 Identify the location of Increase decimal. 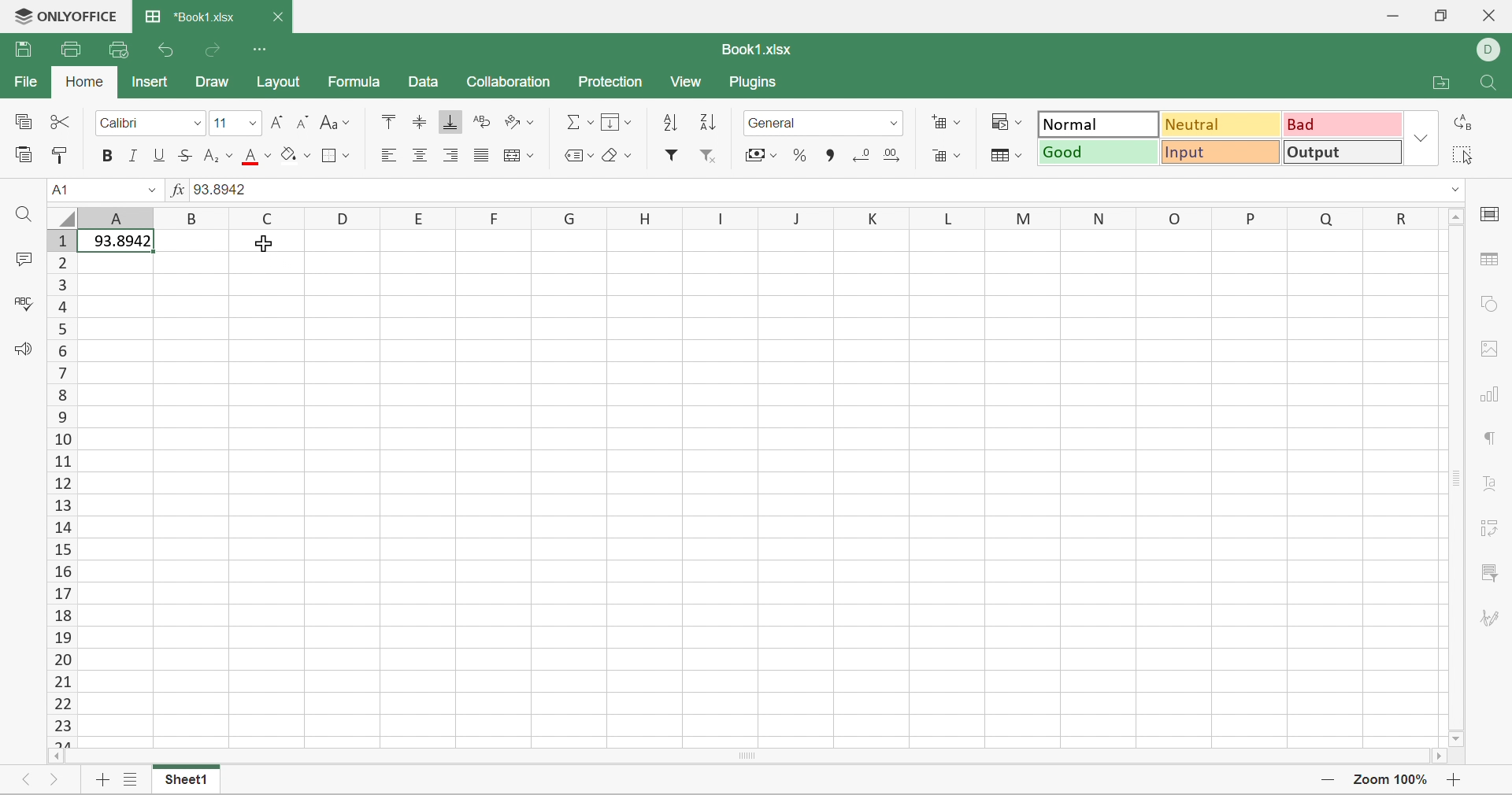
(895, 152).